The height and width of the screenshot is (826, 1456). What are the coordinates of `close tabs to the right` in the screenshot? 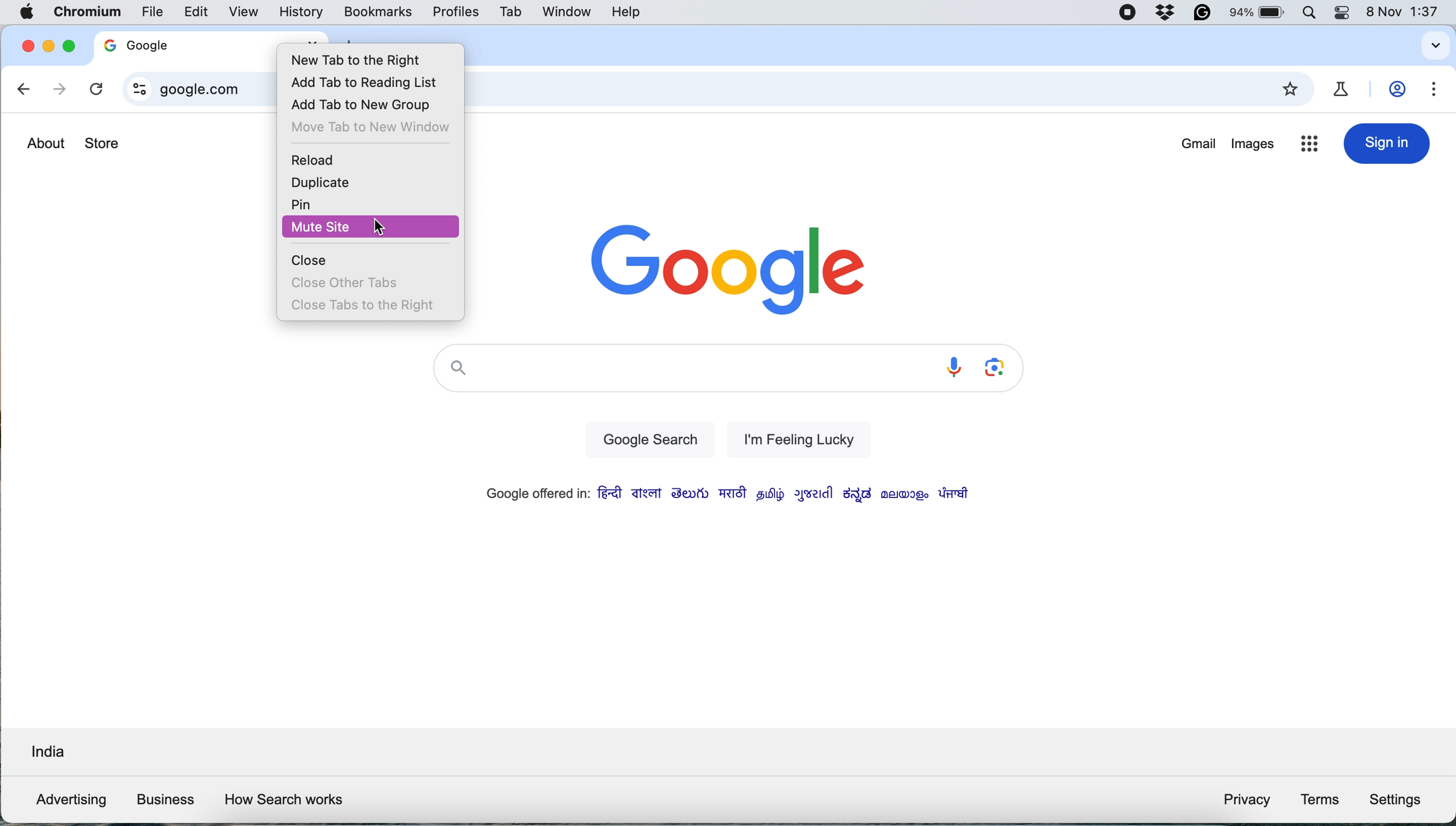 It's located at (365, 305).